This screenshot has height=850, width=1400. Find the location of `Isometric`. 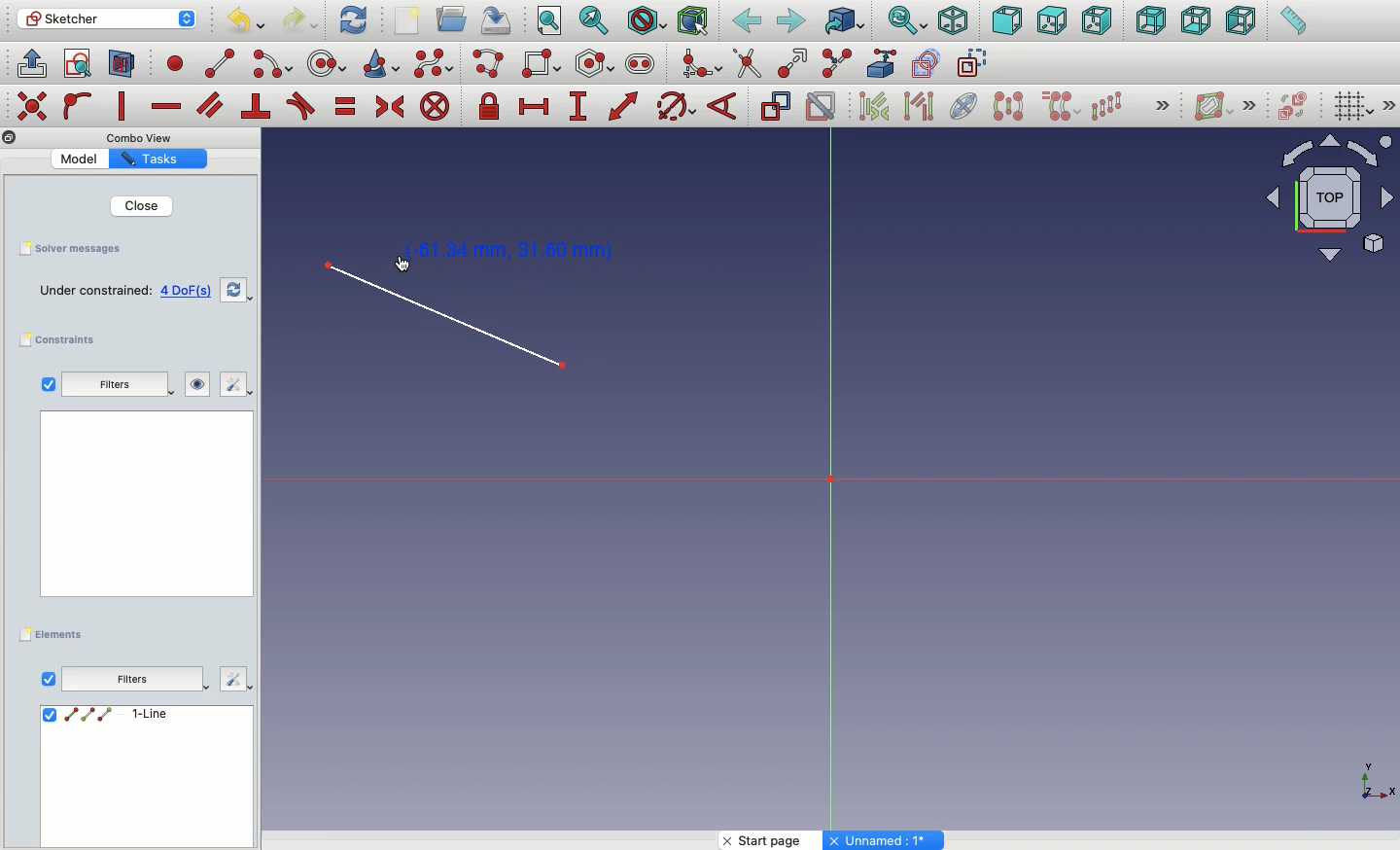

Isometric is located at coordinates (953, 20).